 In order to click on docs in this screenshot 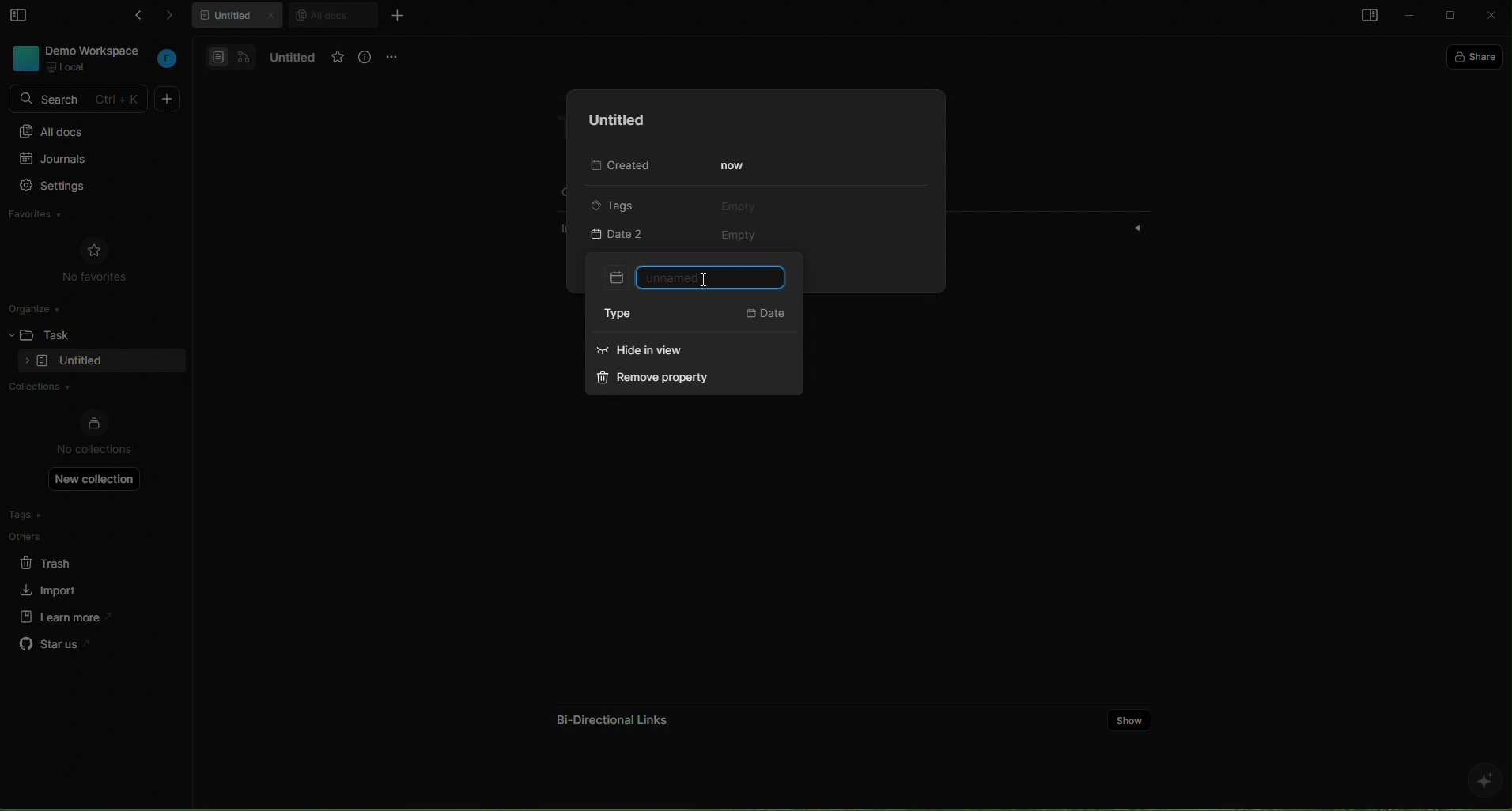, I will do `click(231, 56)`.